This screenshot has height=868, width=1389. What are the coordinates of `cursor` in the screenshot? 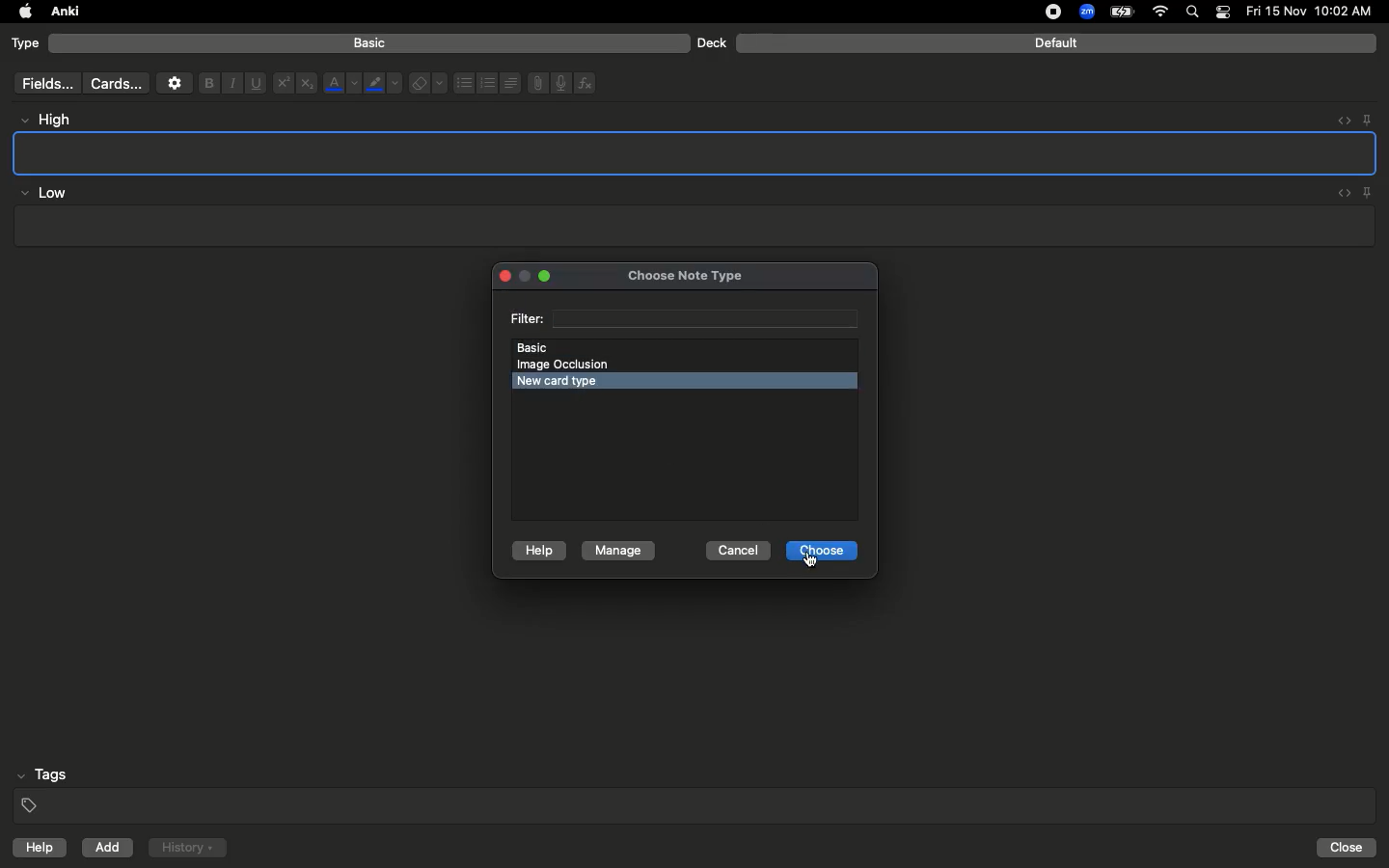 It's located at (812, 563).